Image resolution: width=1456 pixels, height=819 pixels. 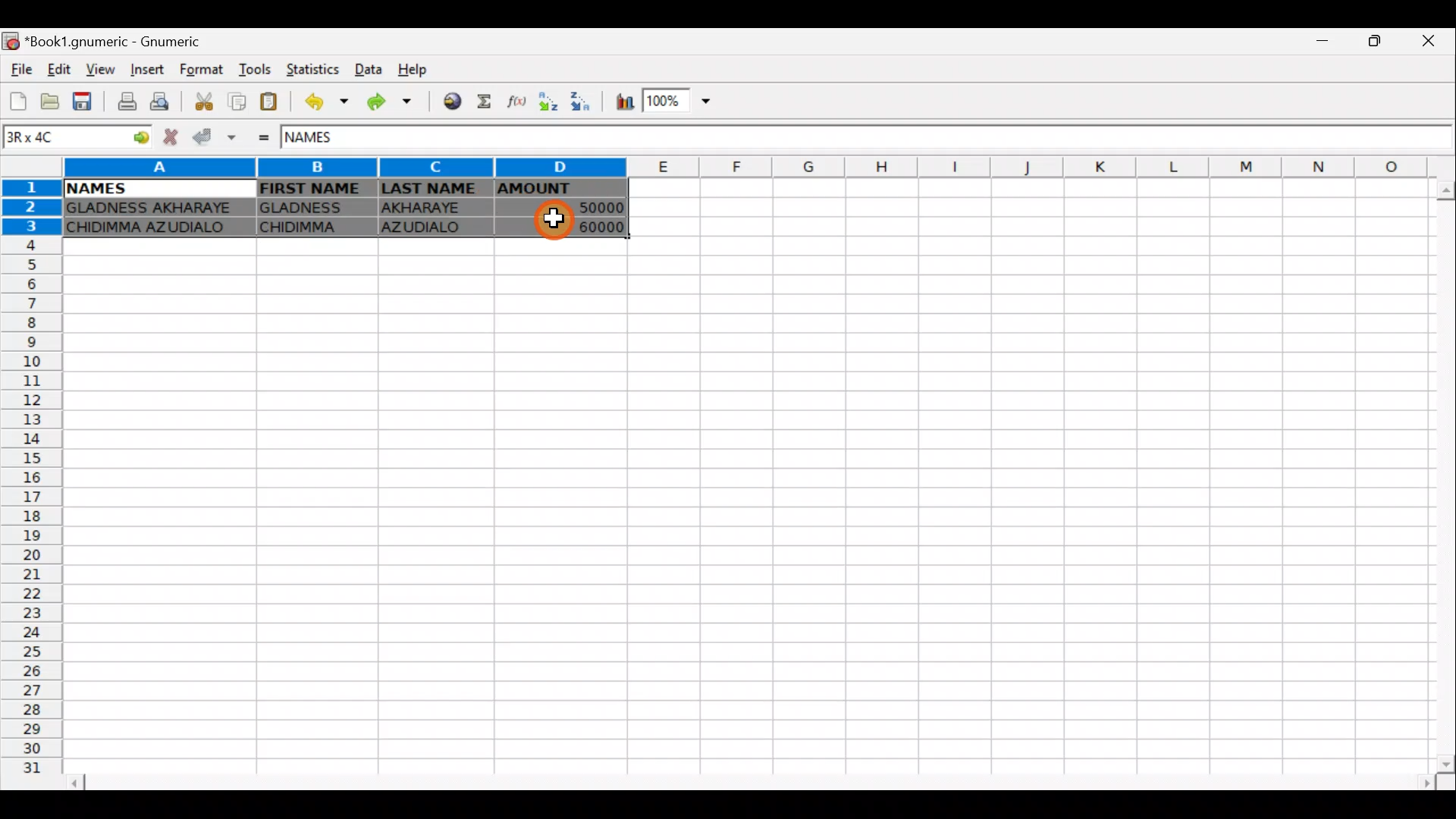 What do you see at coordinates (122, 42) in the screenshot?
I see `*Book1.gnumeric - Gnumeric` at bounding box center [122, 42].